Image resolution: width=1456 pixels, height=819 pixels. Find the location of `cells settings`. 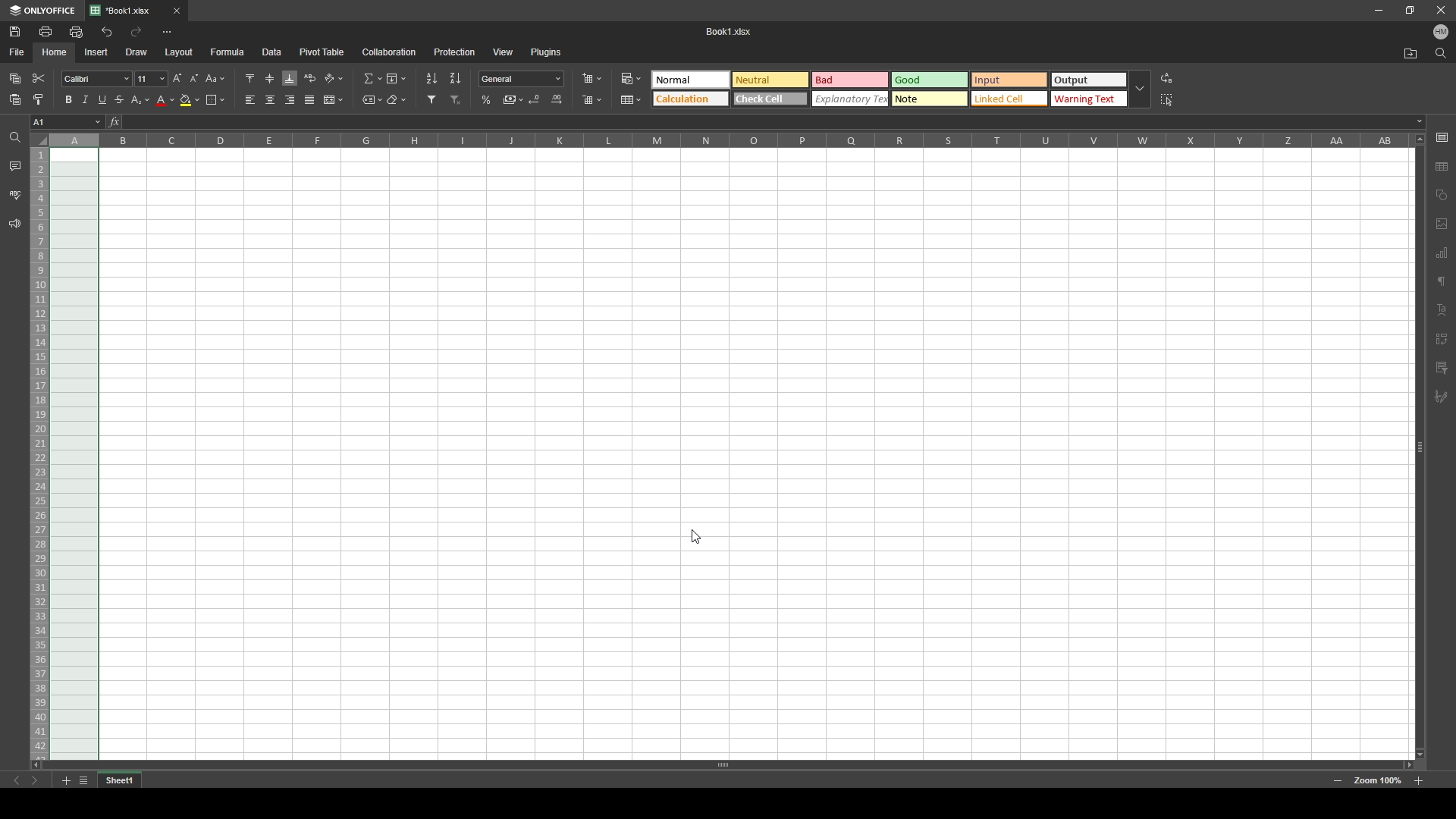

cells settings is located at coordinates (1441, 132).